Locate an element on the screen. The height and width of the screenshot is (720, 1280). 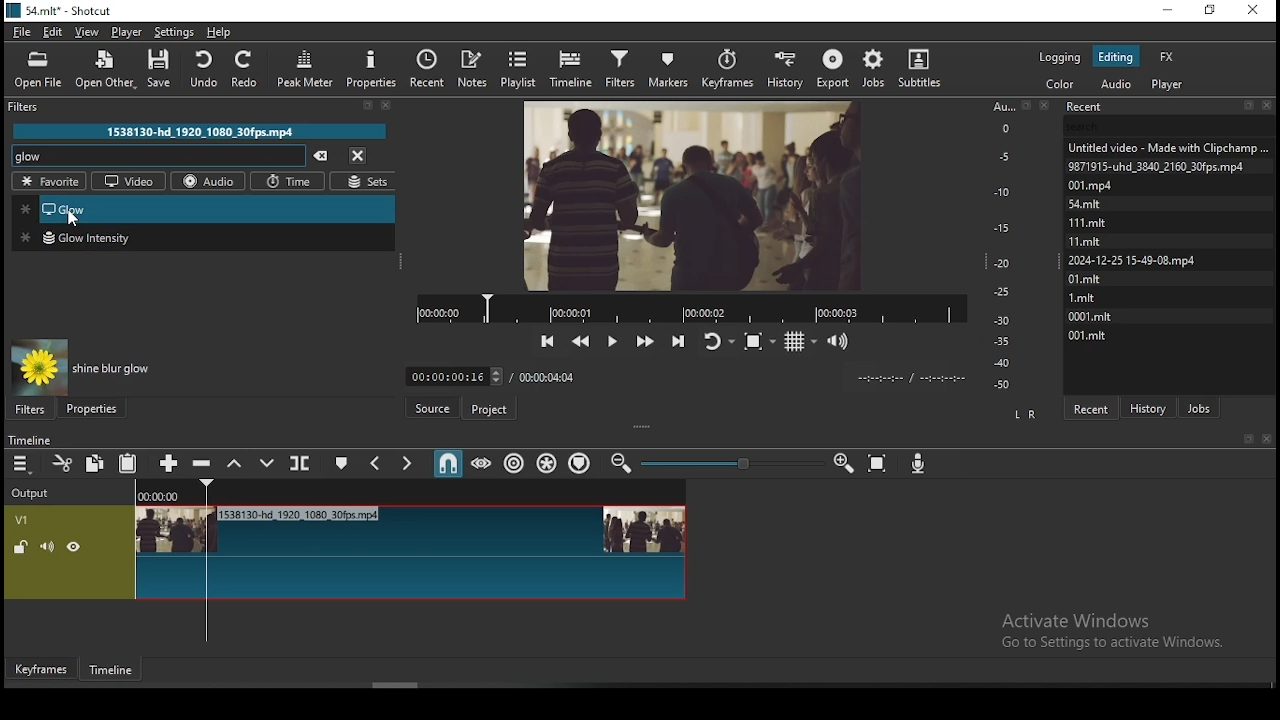
fx is located at coordinates (1167, 56).